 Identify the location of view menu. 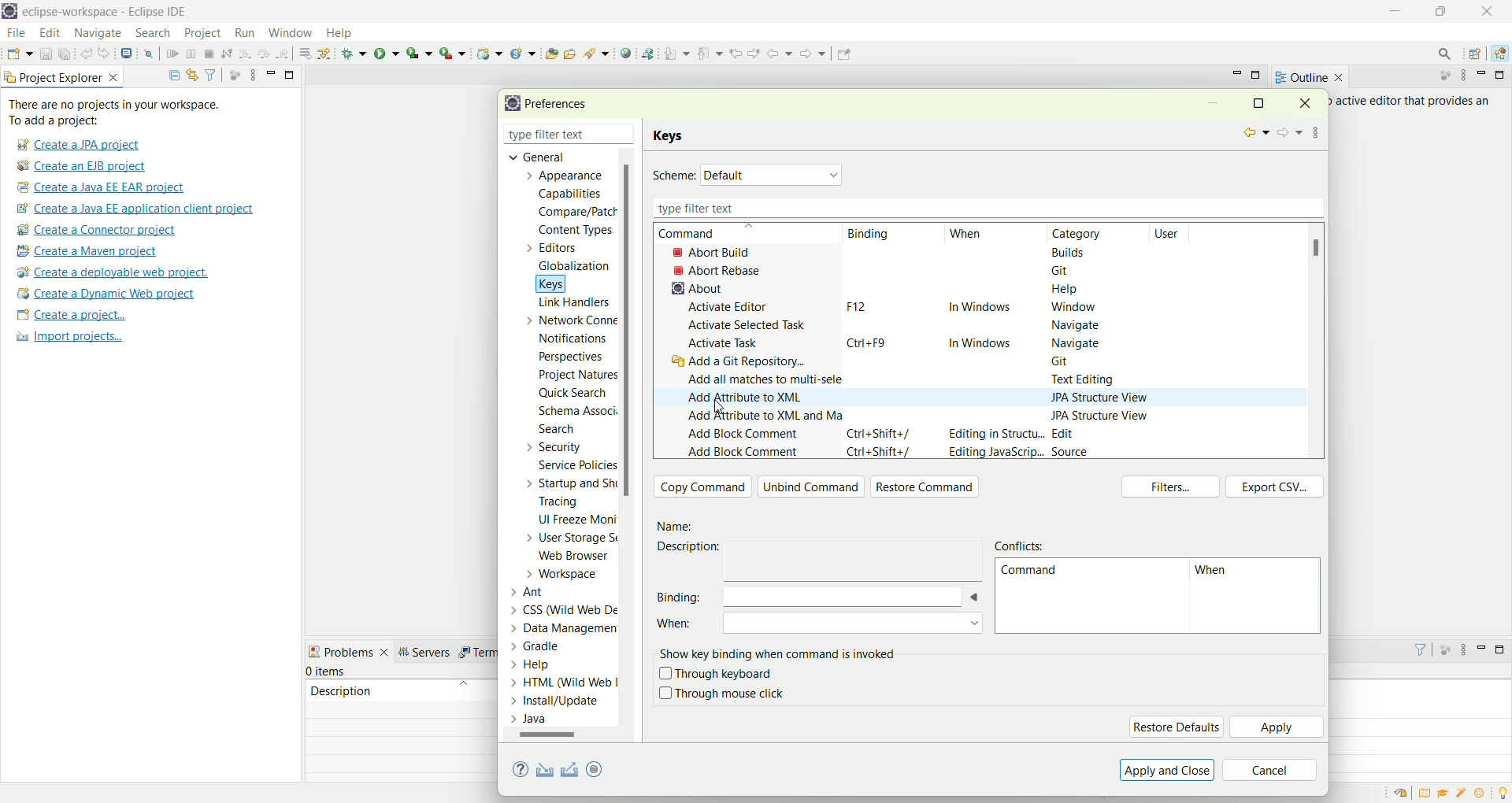
(1317, 130).